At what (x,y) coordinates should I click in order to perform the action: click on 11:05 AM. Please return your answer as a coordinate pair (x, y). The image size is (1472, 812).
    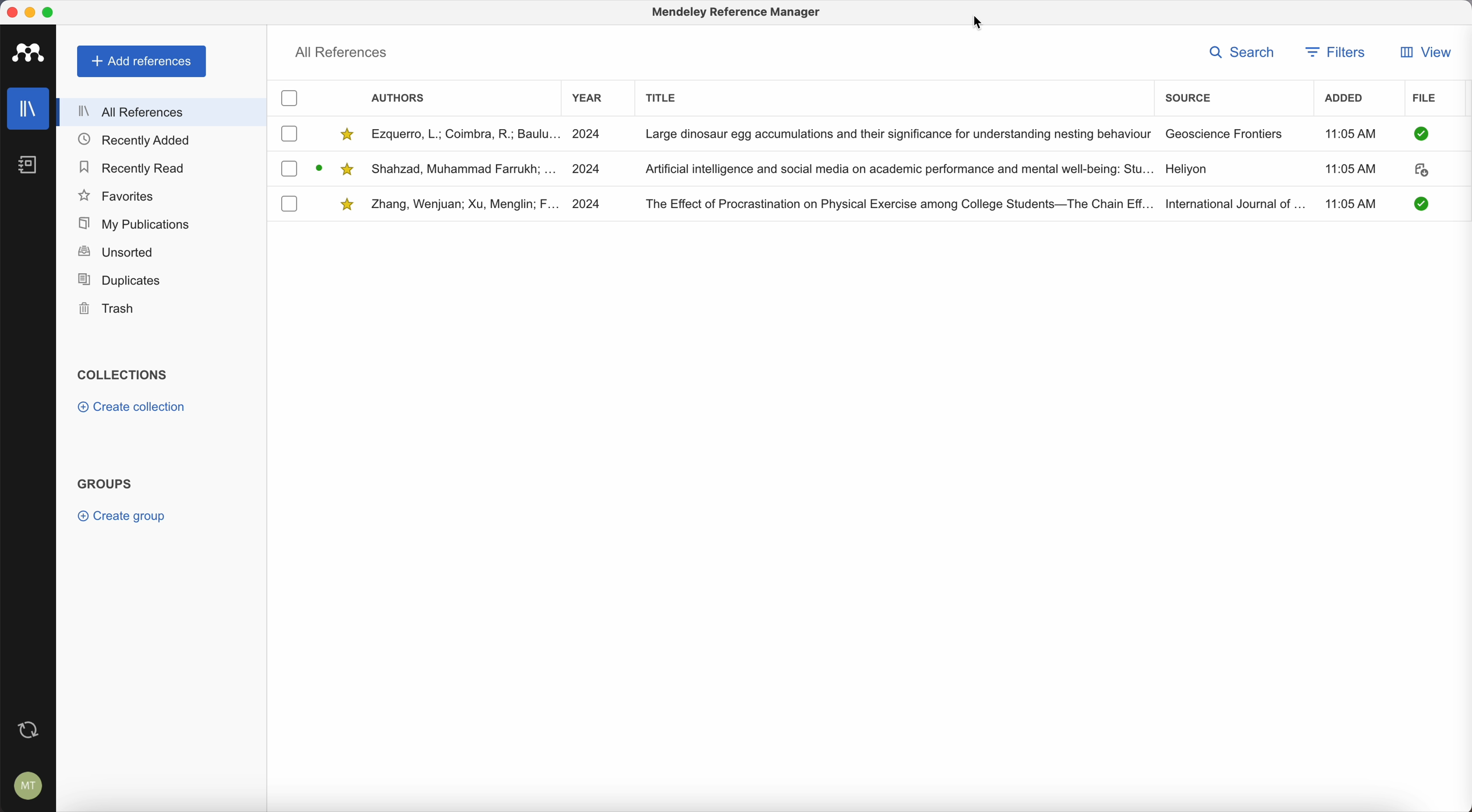
    Looking at the image, I should click on (1349, 134).